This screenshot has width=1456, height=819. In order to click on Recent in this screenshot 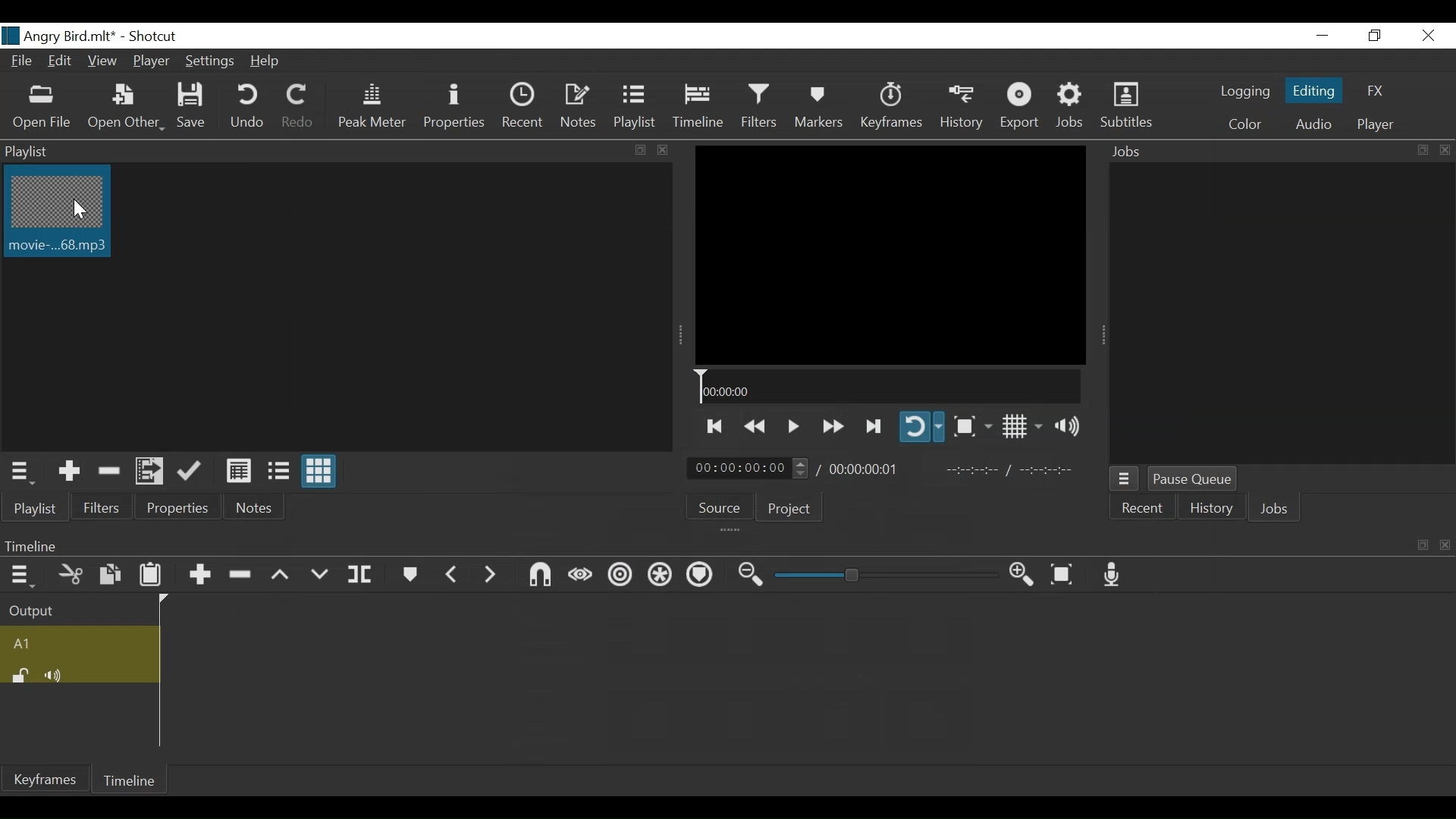, I will do `click(525, 105)`.